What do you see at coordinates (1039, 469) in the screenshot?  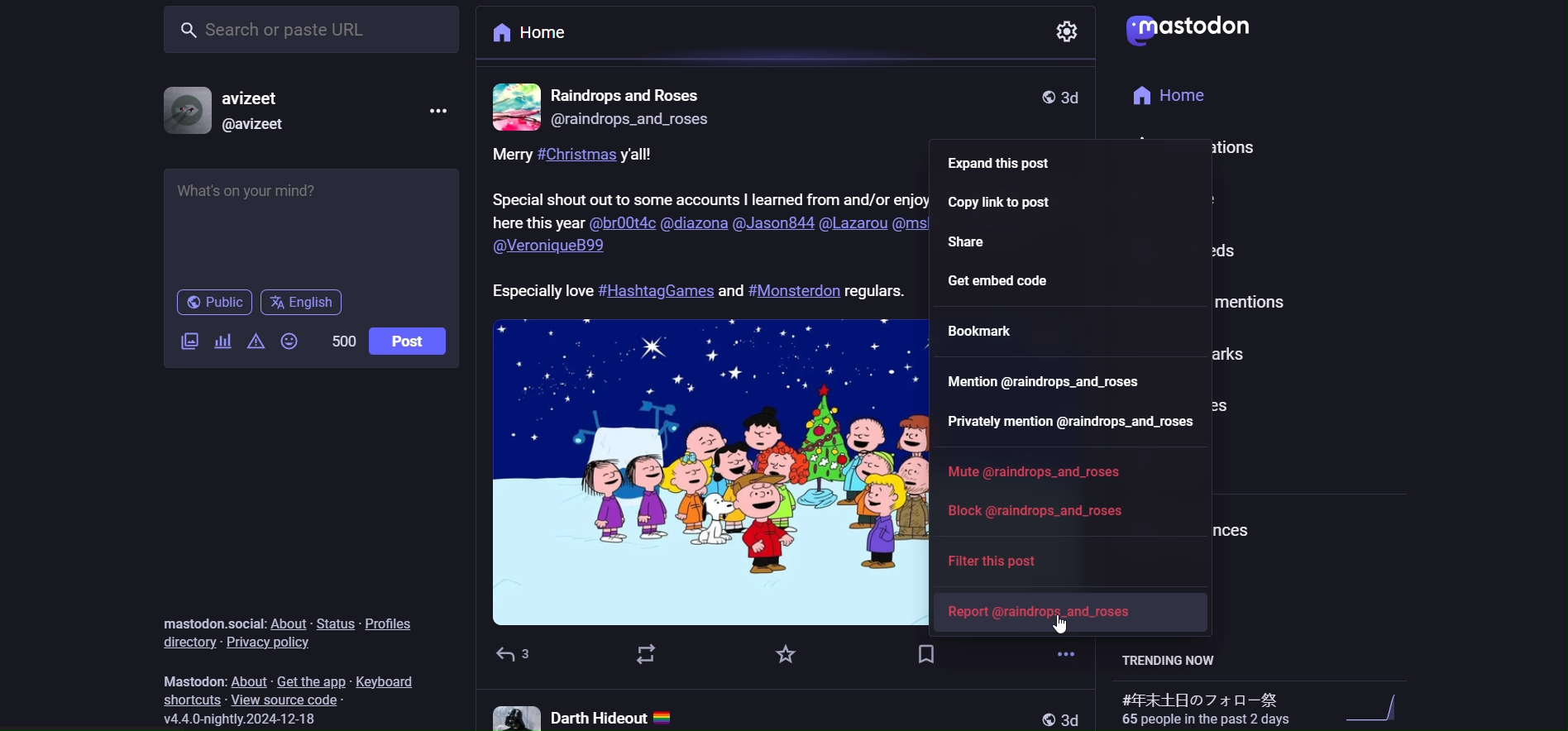 I see `mute` at bounding box center [1039, 469].